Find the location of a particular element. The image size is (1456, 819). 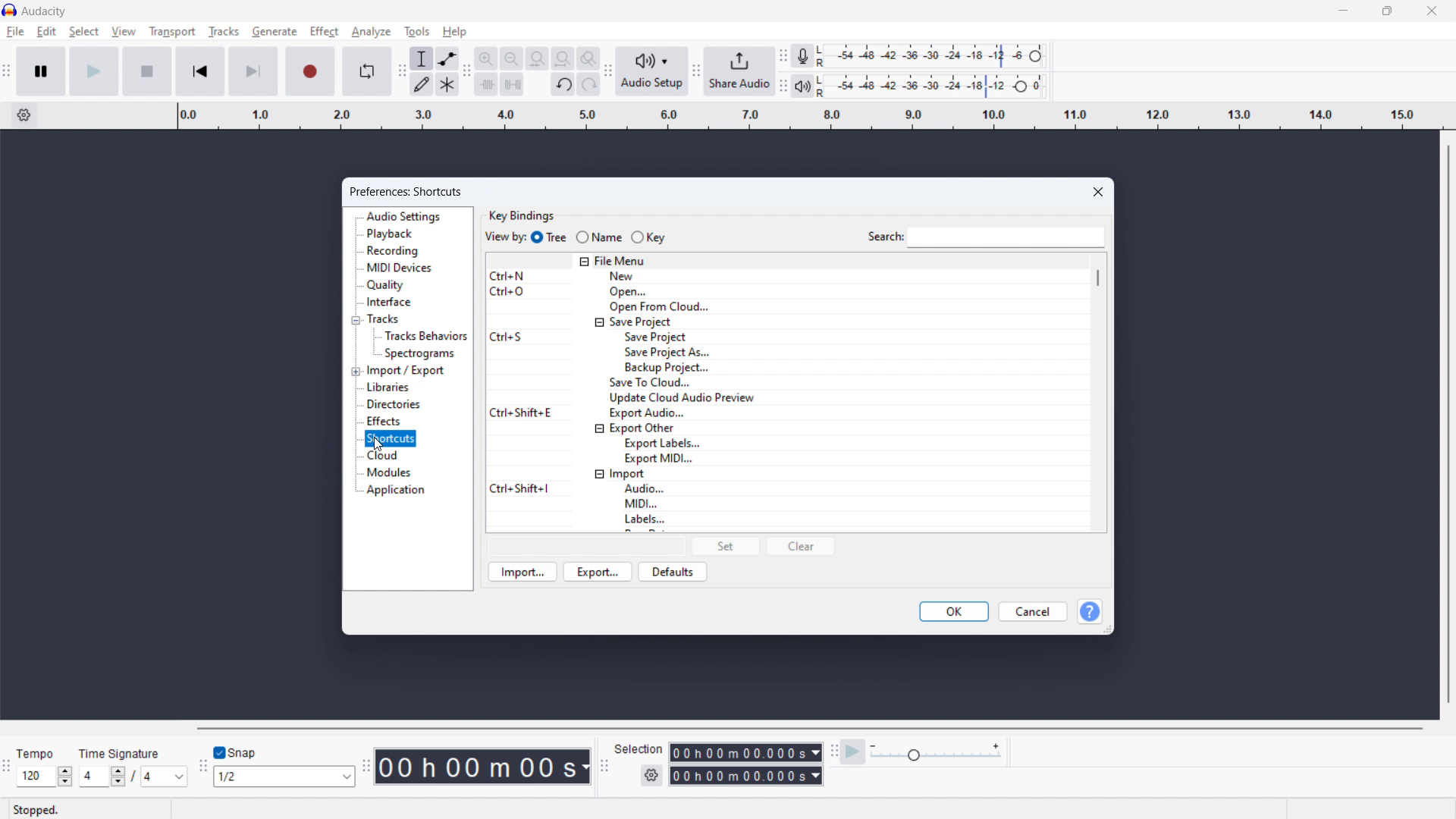

Tempo - indicates section for tempo of audio is located at coordinates (35, 753).